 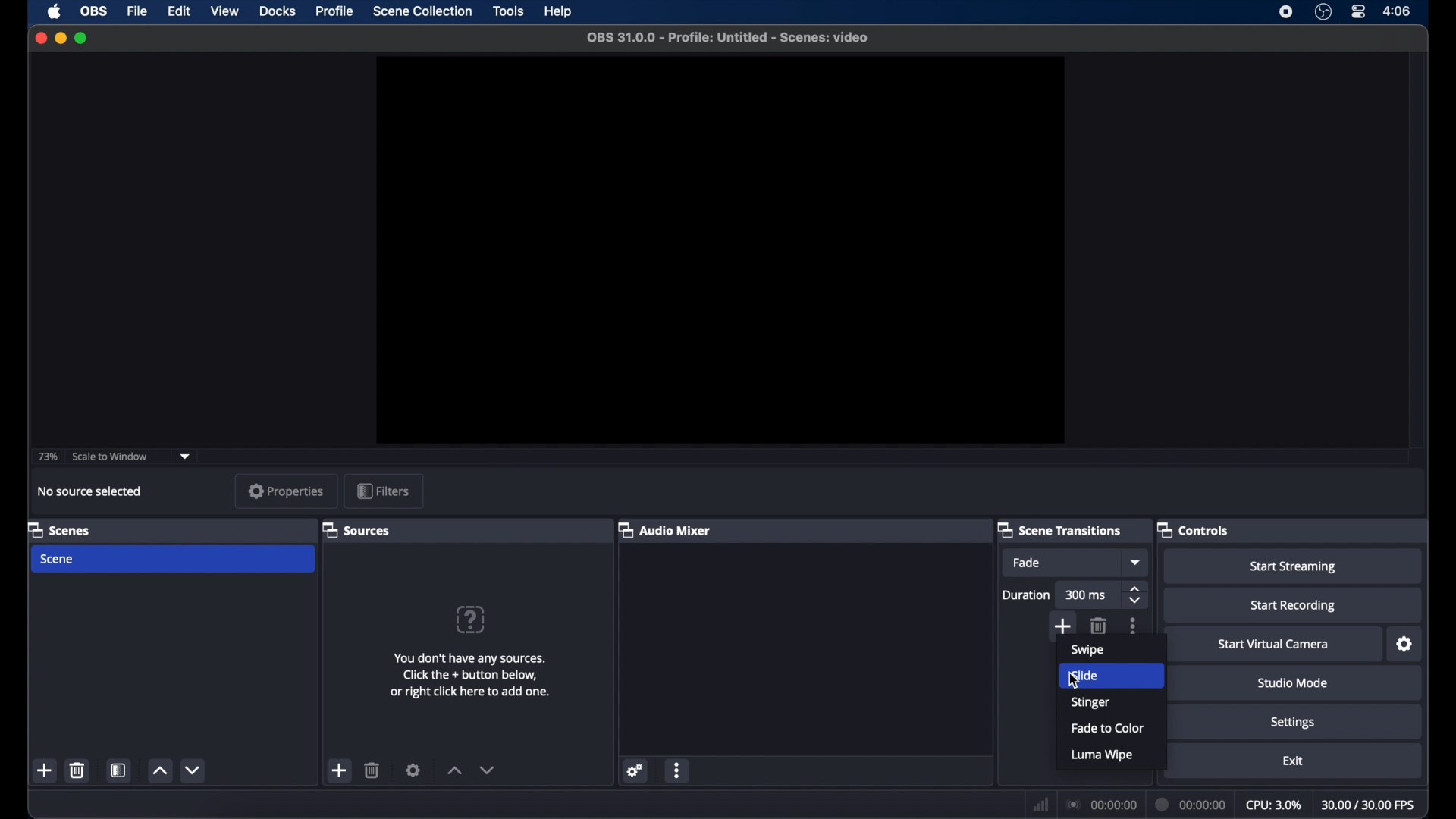 What do you see at coordinates (59, 529) in the screenshot?
I see `scene` at bounding box center [59, 529].